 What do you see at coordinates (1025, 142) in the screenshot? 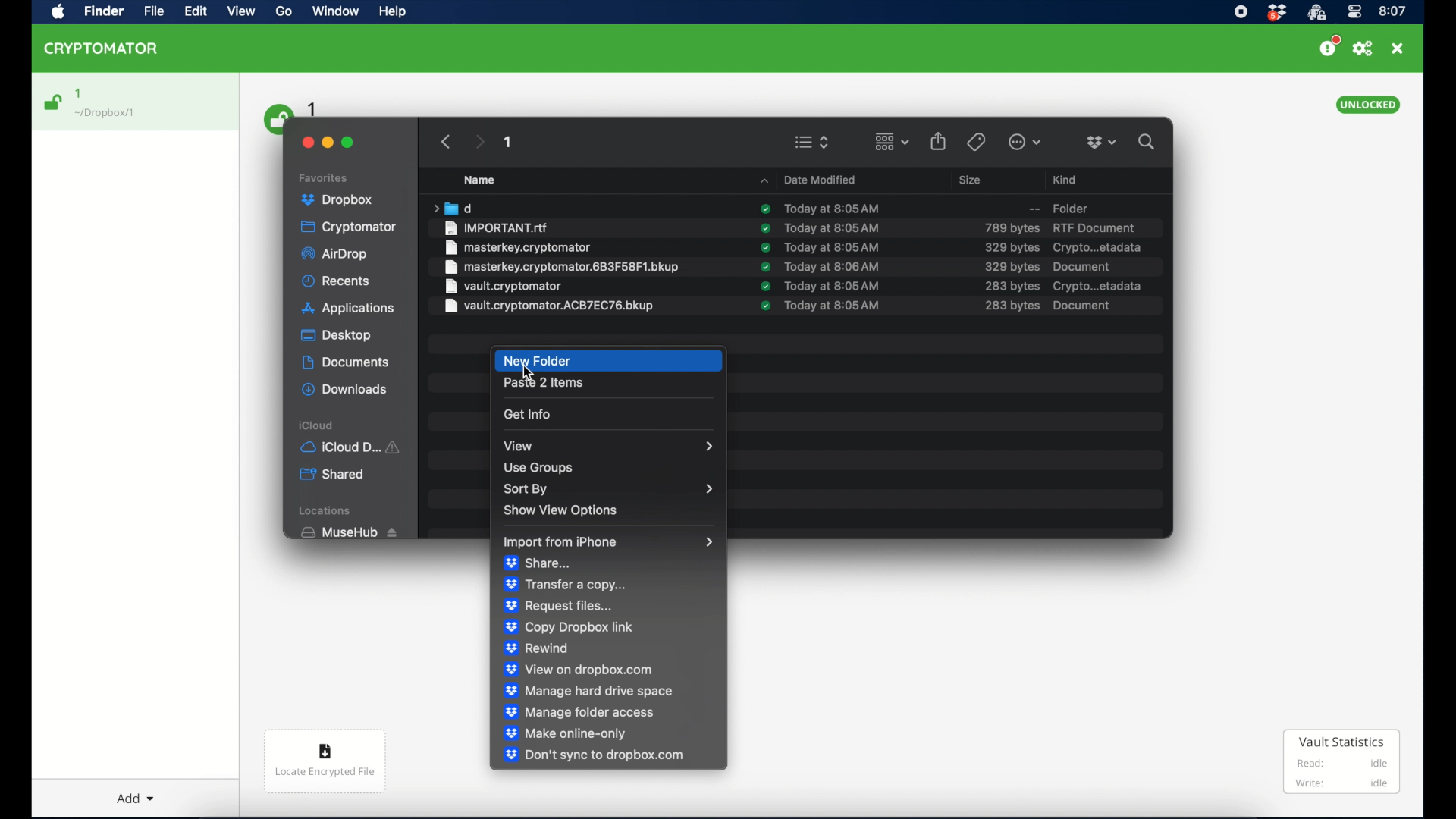
I see `more options` at bounding box center [1025, 142].